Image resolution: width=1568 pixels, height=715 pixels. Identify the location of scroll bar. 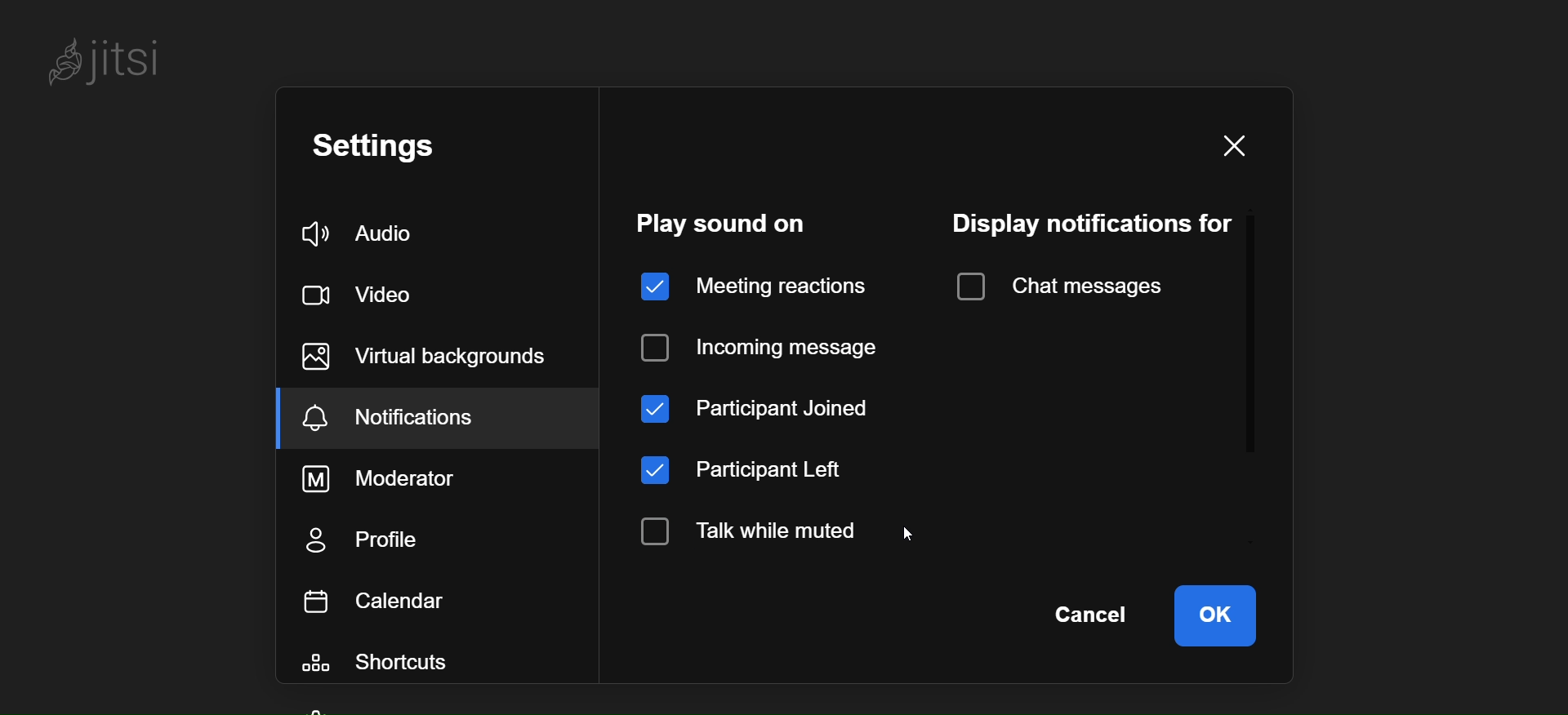
(1254, 328).